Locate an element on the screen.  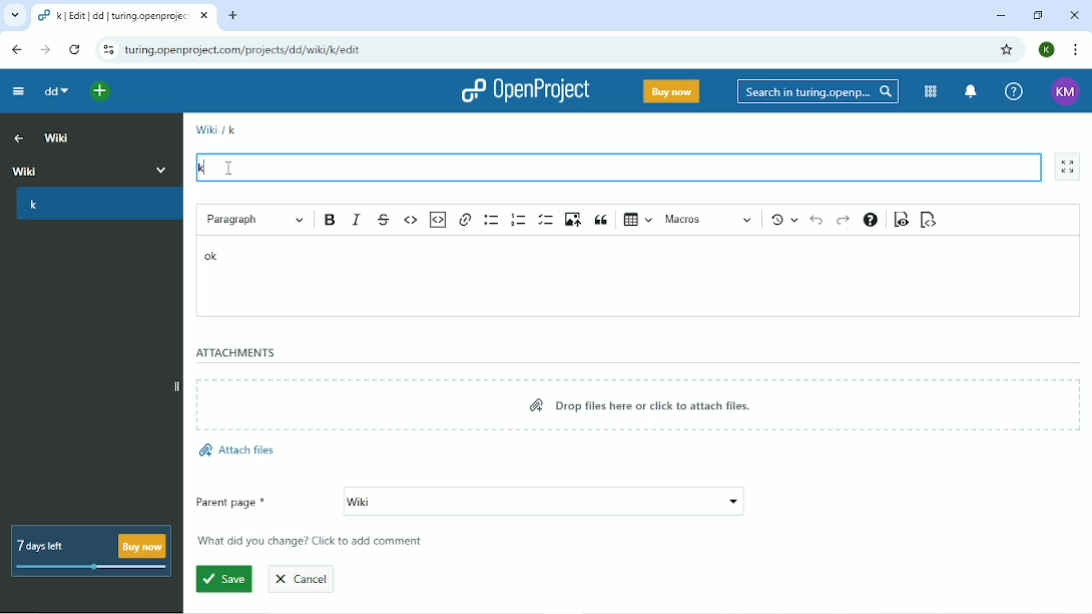
Reload this page is located at coordinates (76, 49).